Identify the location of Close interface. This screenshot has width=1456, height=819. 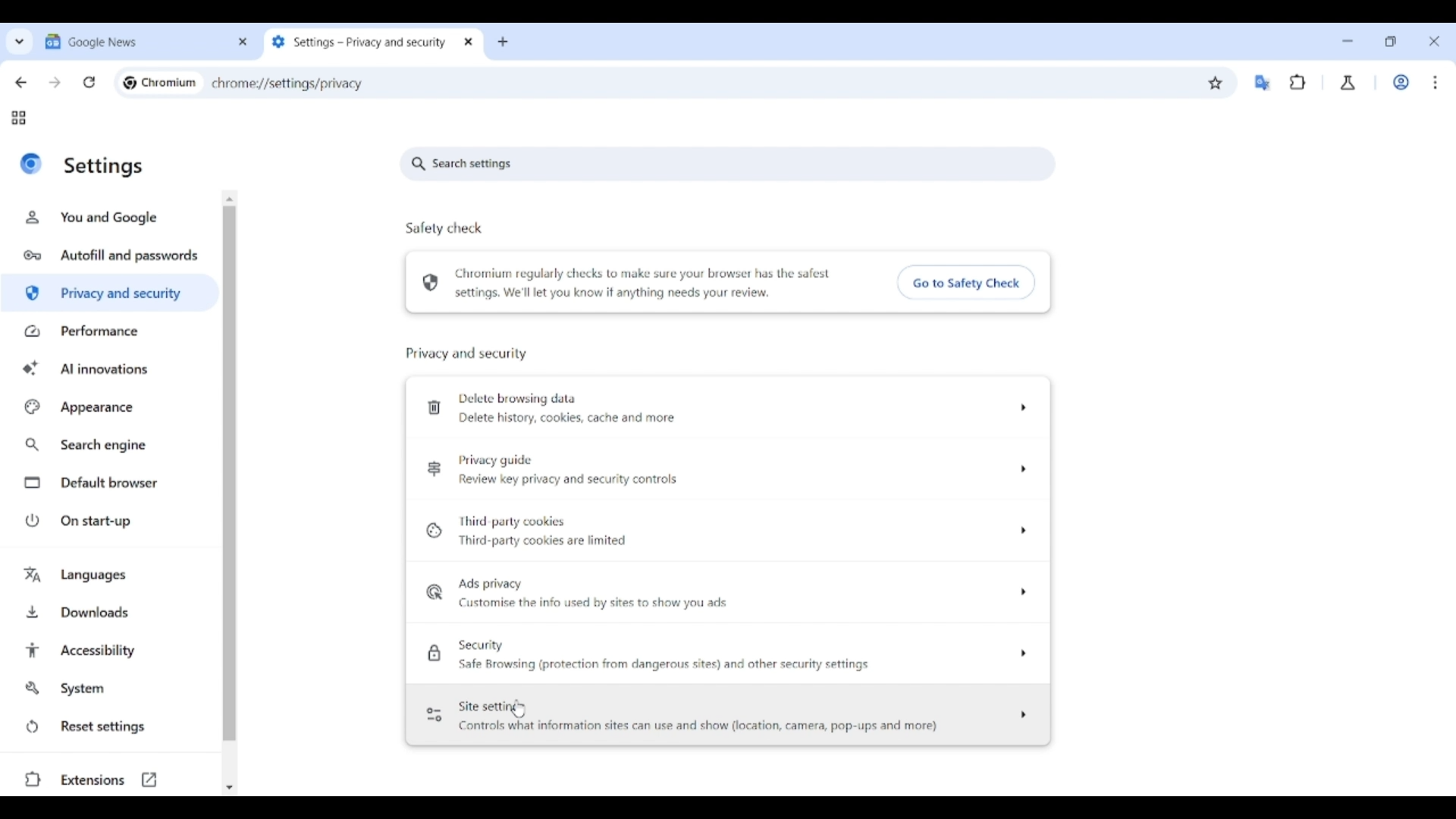
(1434, 41).